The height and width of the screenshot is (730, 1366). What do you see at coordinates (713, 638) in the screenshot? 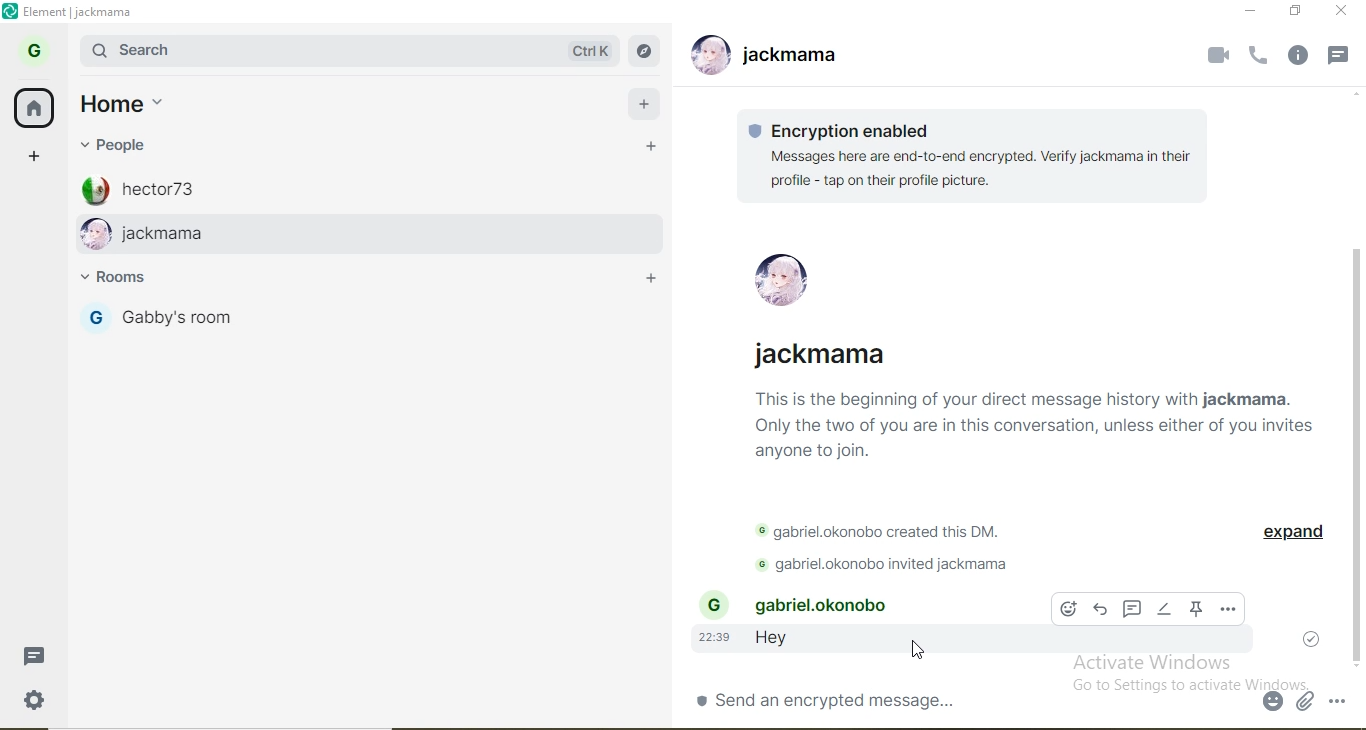
I see `22:39` at bounding box center [713, 638].